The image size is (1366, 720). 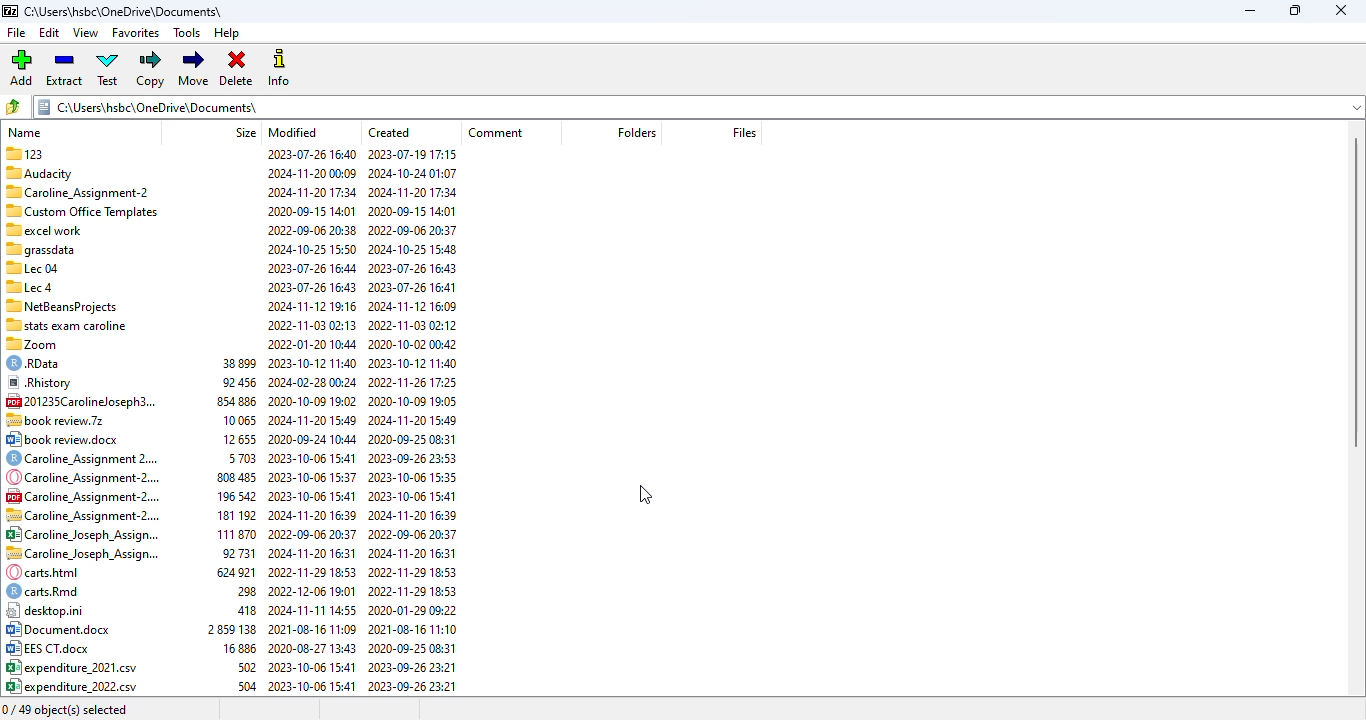 What do you see at coordinates (292, 132) in the screenshot?
I see `modified` at bounding box center [292, 132].